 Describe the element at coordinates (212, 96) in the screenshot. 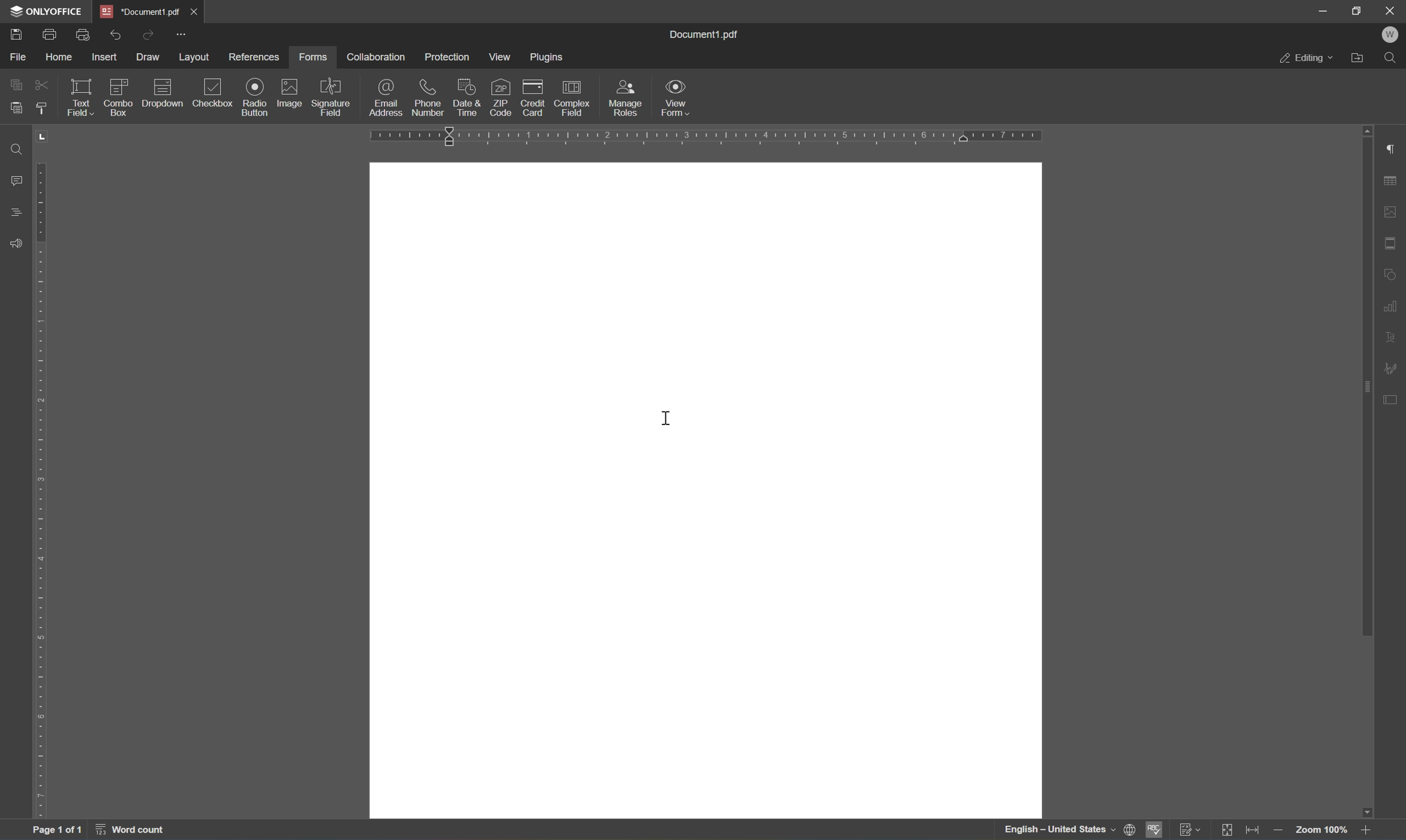

I see `checkbox` at that location.